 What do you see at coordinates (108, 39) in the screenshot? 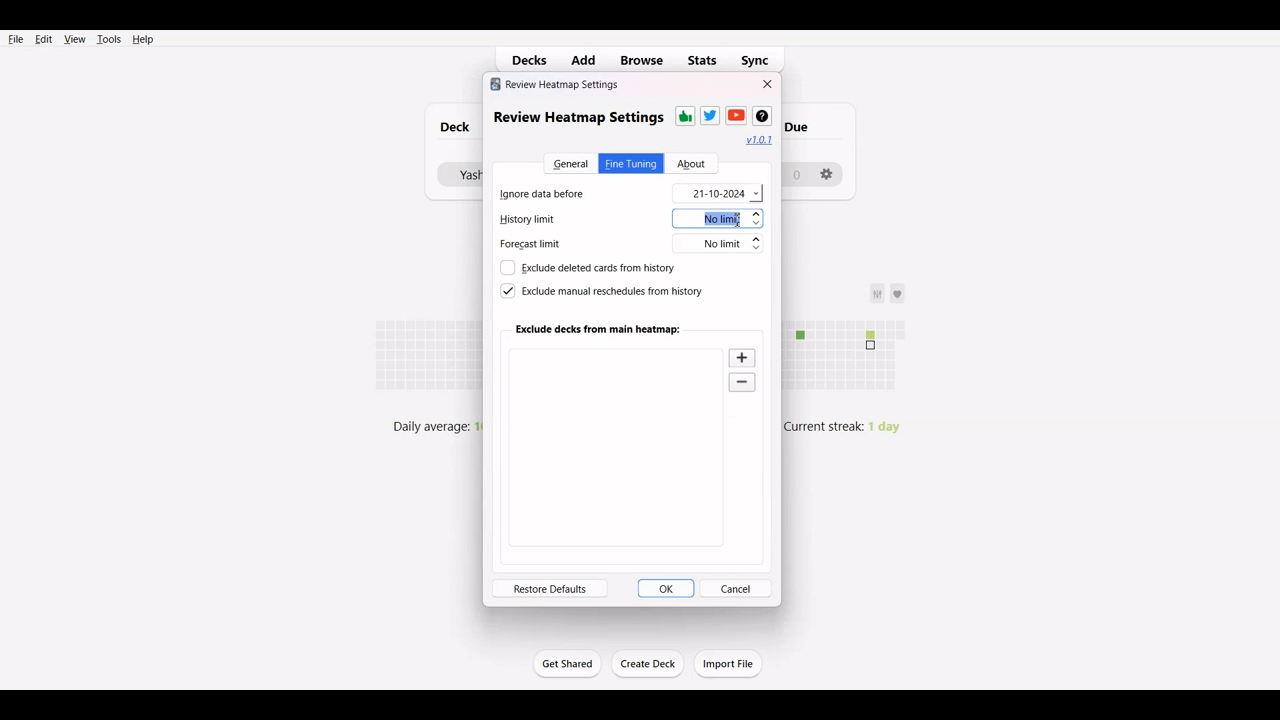
I see `Tools` at bounding box center [108, 39].